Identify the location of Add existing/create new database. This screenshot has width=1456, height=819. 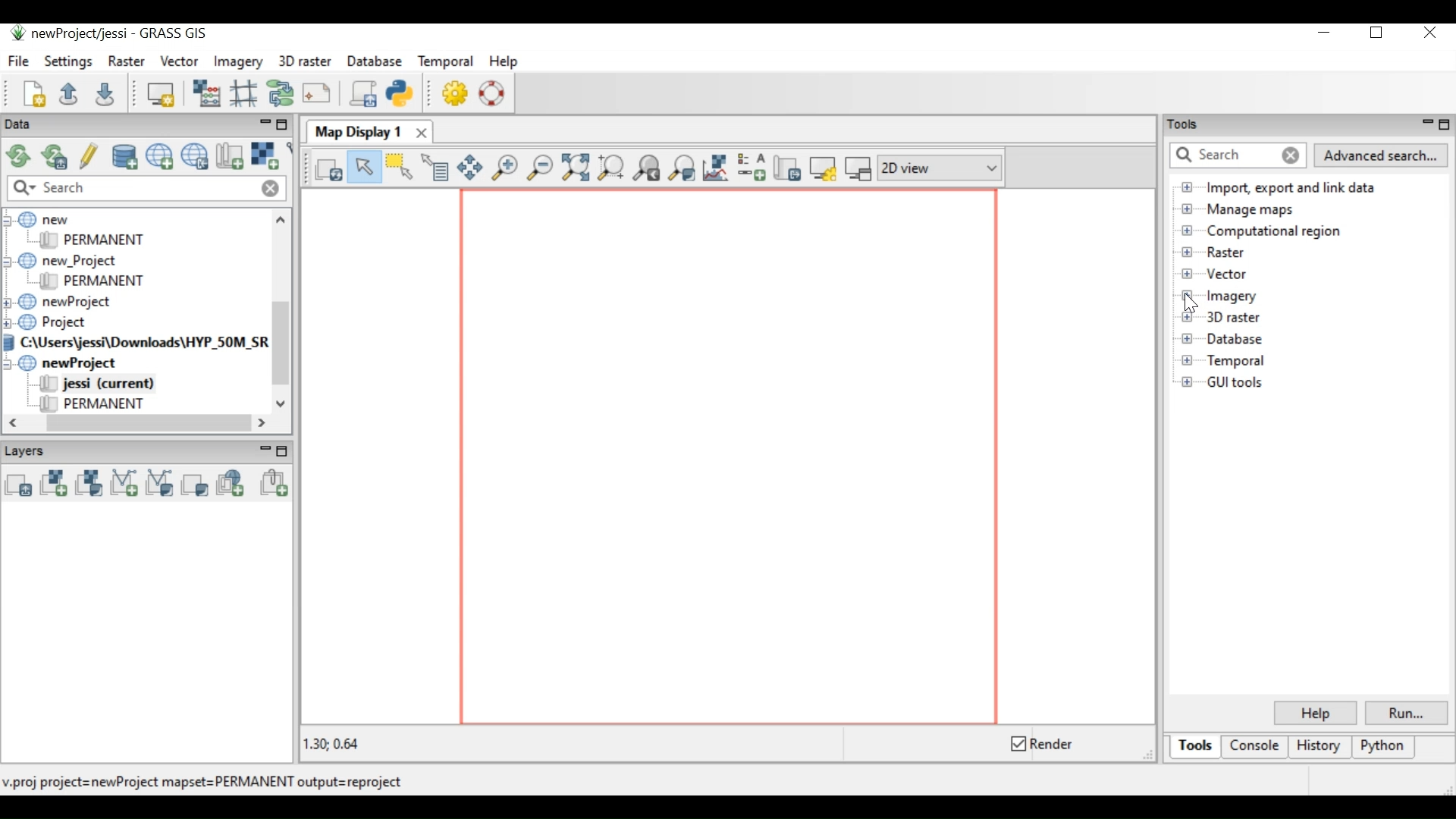
(125, 157).